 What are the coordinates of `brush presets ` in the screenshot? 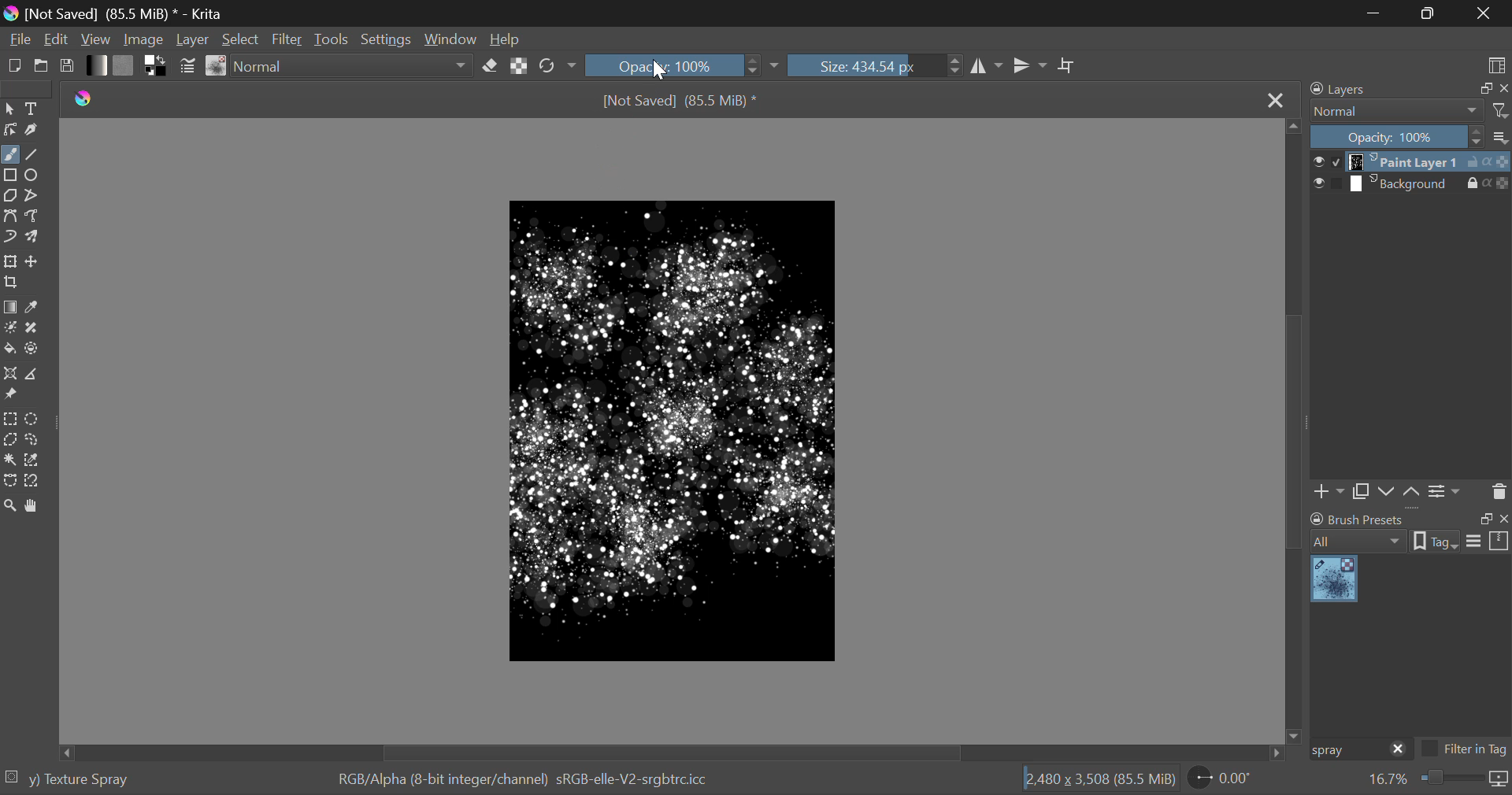 It's located at (1358, 519).